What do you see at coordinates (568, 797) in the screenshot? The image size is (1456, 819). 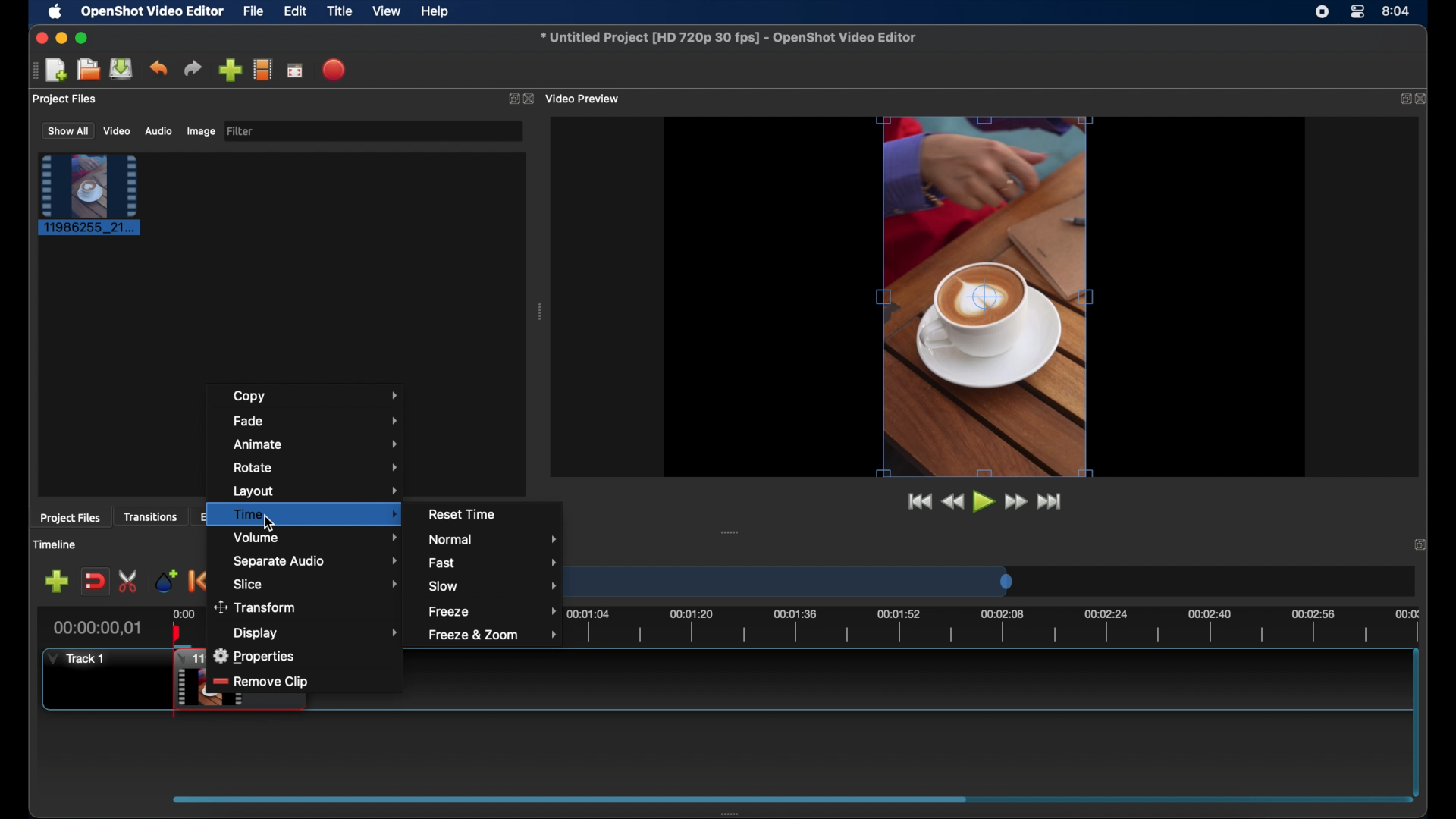 I see `scroll box` at bounding box center [568, 797].